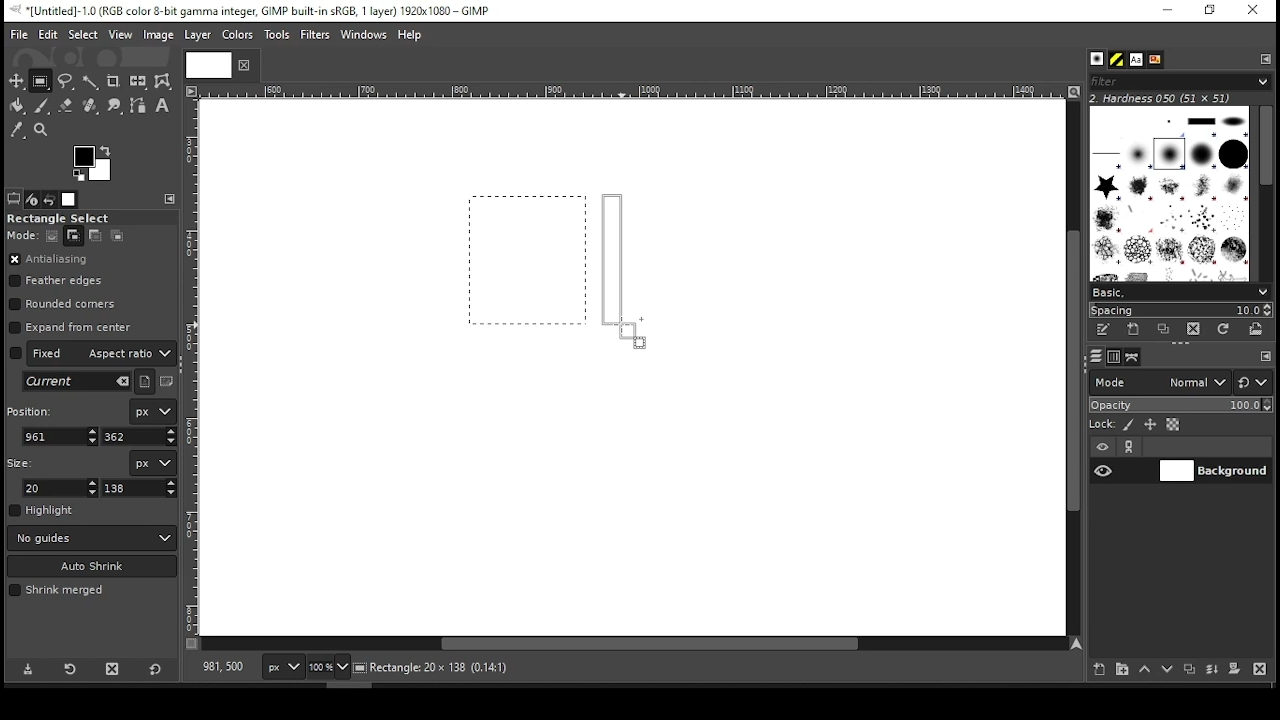 This screenshot has width=1280, height=720. Describe the element at coordinates (93, 163) in the screenshot. I see `colors` at that location.